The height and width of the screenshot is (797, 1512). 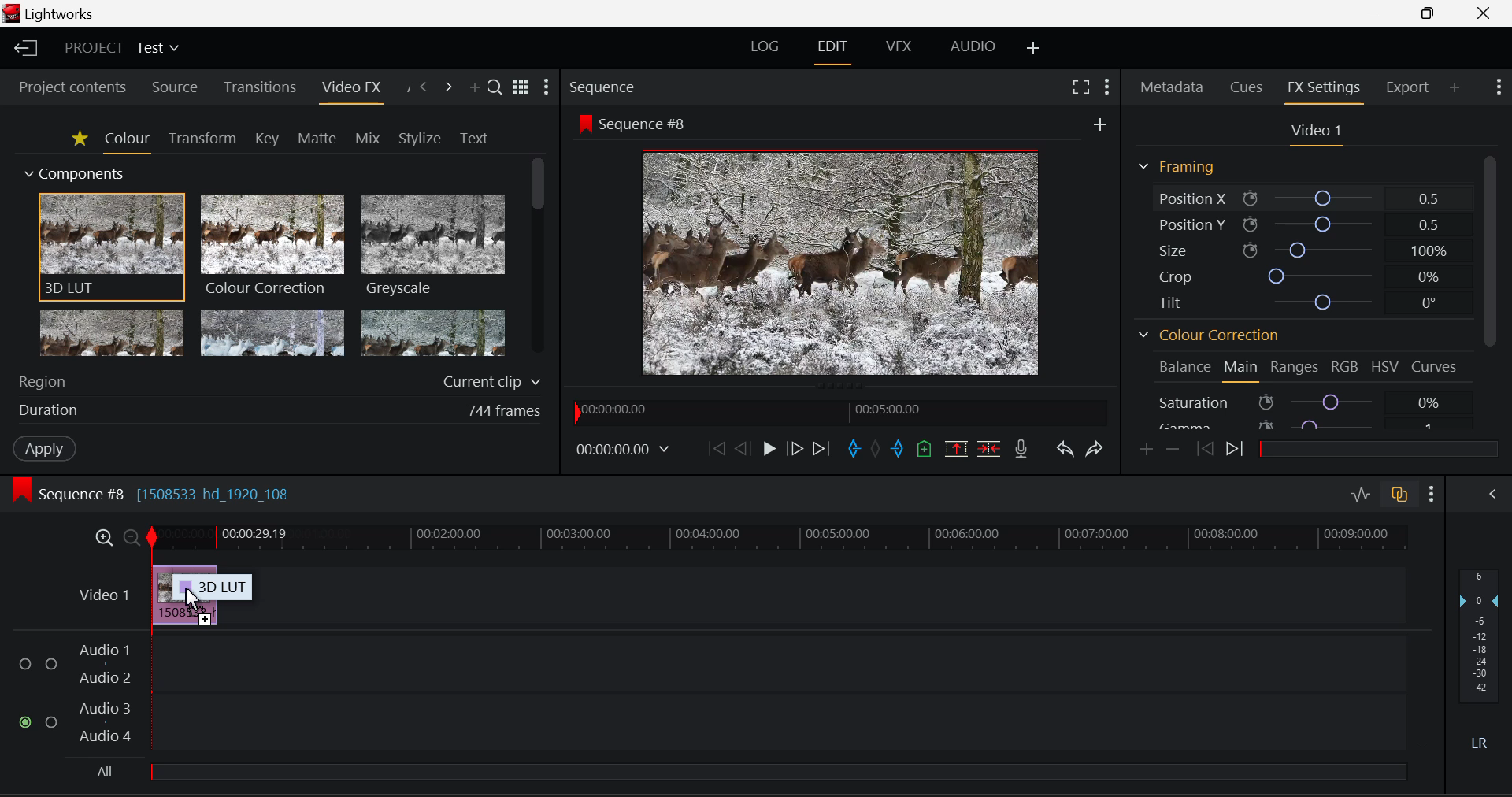 What do you see at coordinates (715, 451) in the screenshot?
I see `To Start` at bounding box center [715, 451].